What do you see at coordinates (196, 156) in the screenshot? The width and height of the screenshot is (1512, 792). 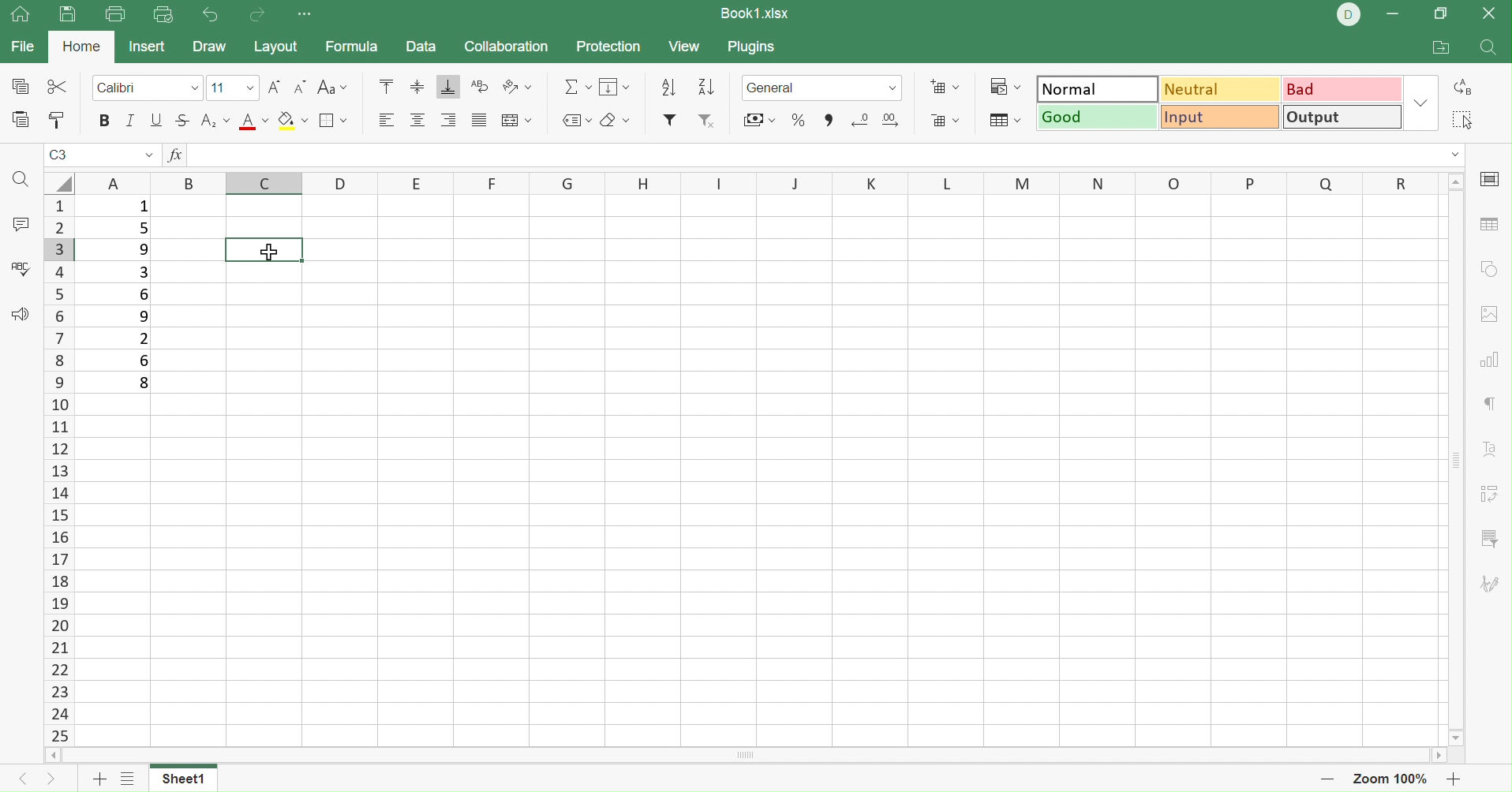 I see `1` at bounding box center [196, 156].